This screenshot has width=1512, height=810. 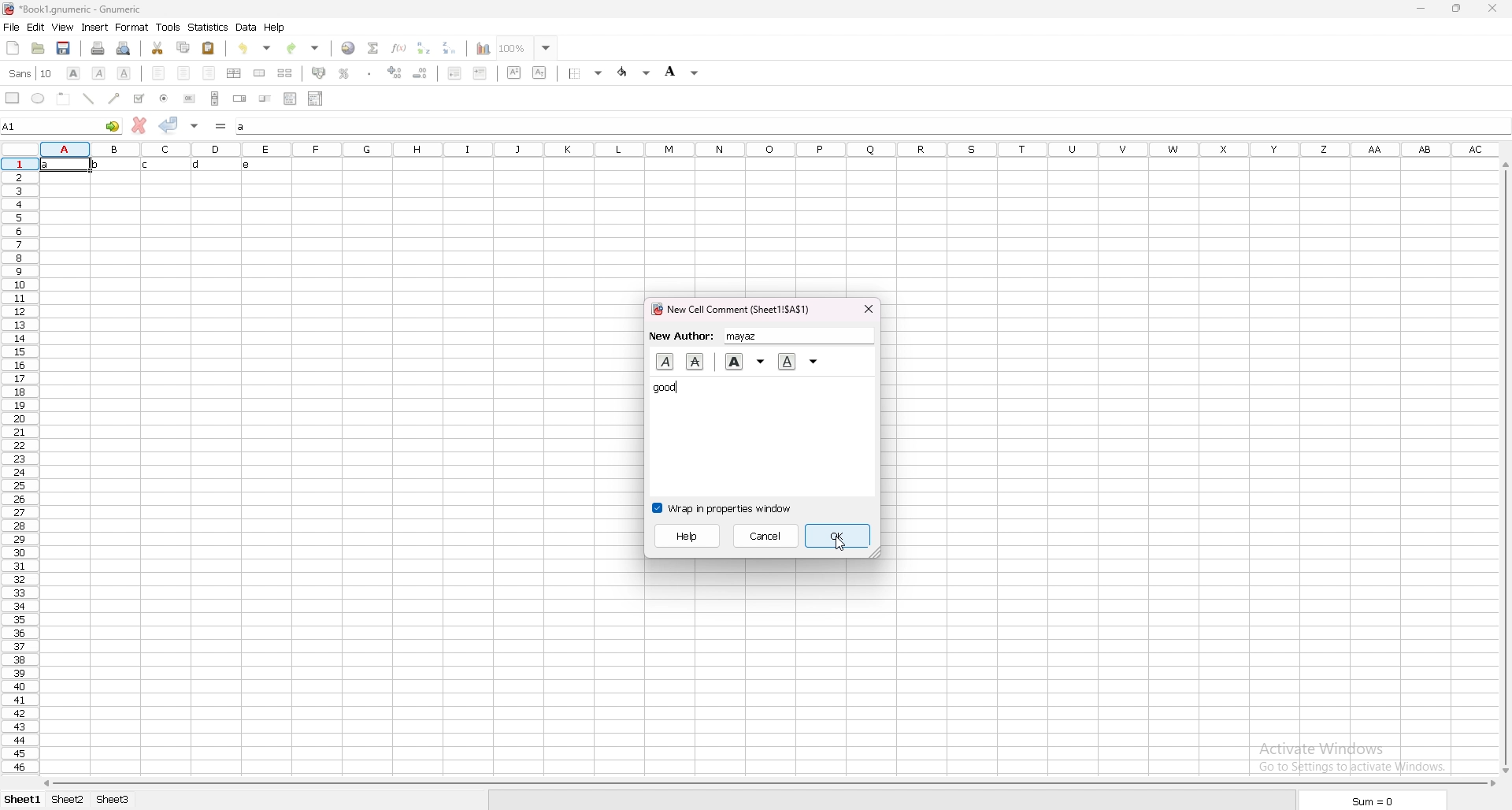 What do you see at coordinates (20, 466) in the screenshot?
I see `rows` at bounding box center [20, 466].